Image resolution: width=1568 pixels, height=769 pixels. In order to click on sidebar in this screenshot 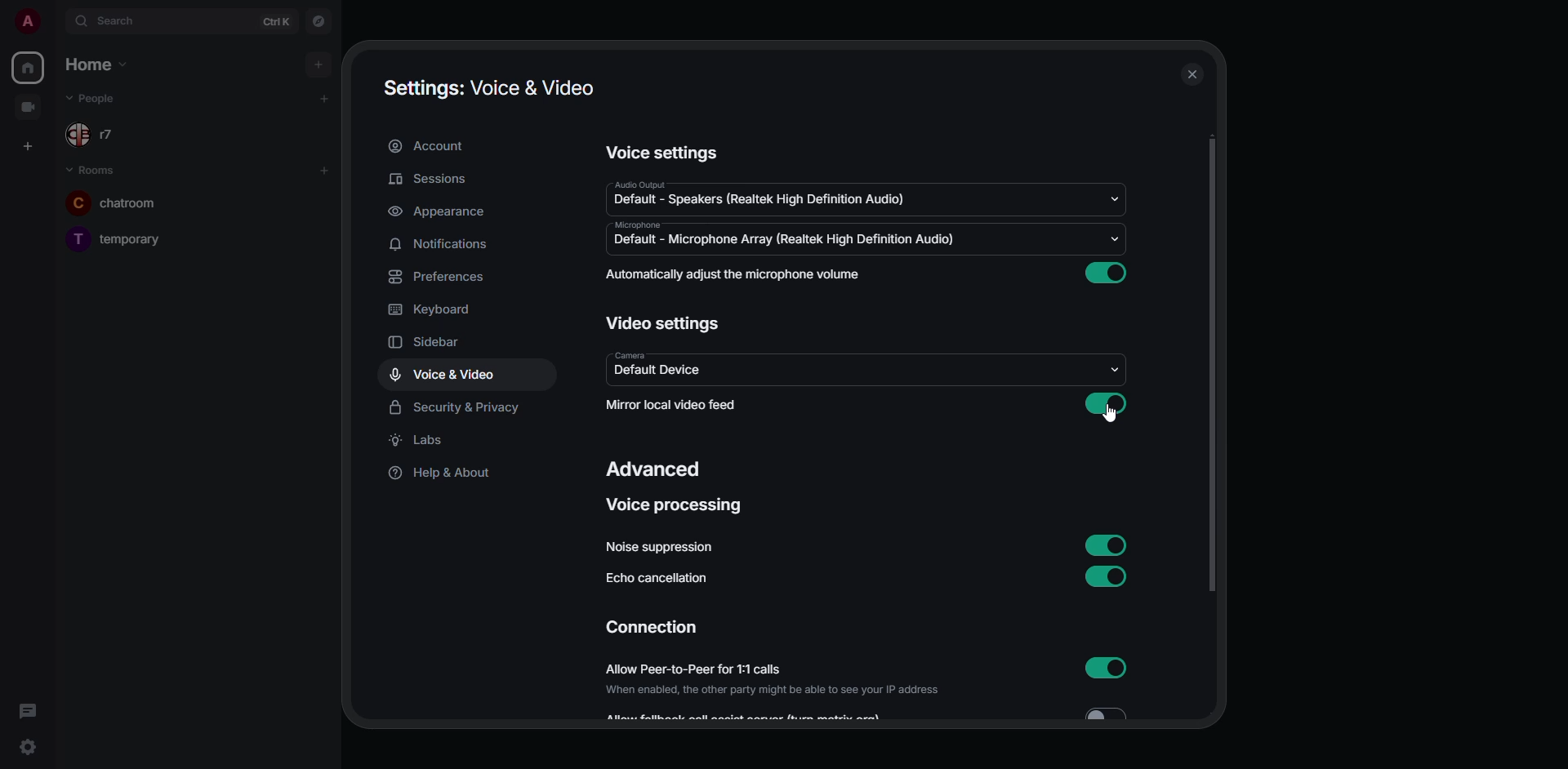, I will do `click(433, 342)`.